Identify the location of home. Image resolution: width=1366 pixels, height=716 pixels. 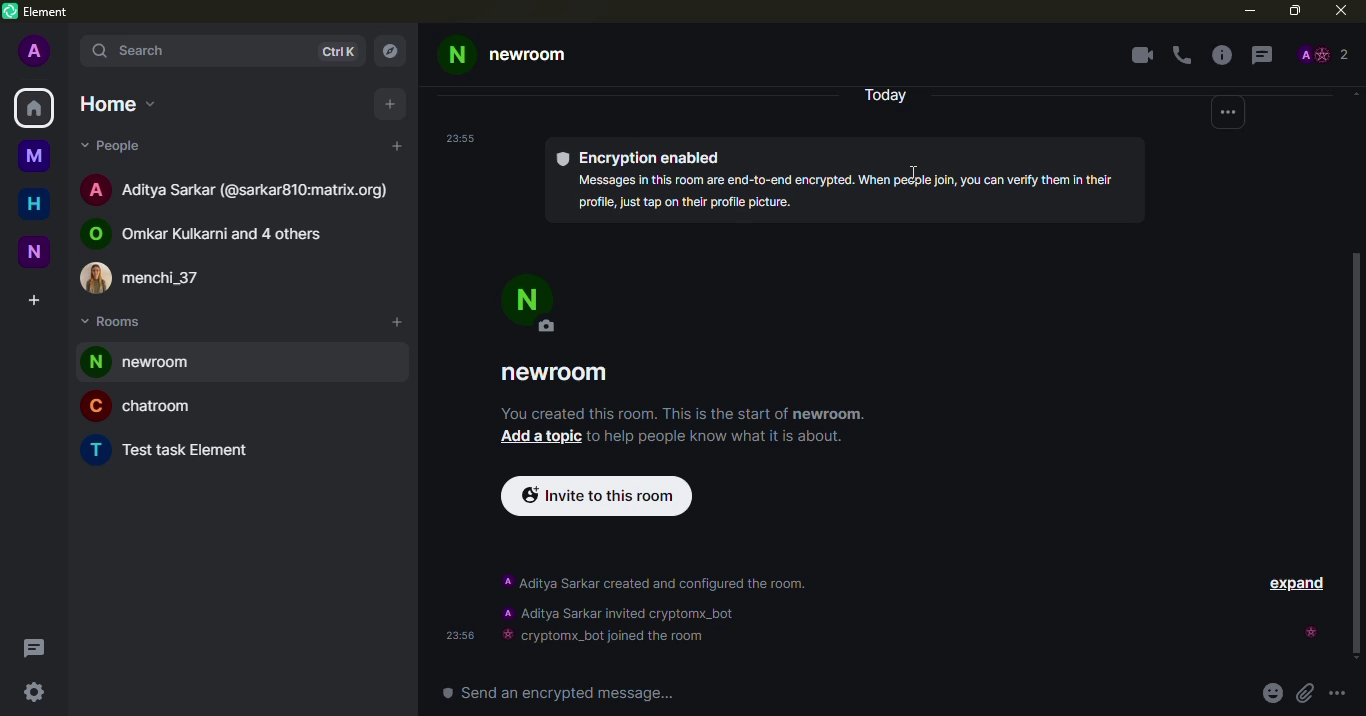
(35, 204).